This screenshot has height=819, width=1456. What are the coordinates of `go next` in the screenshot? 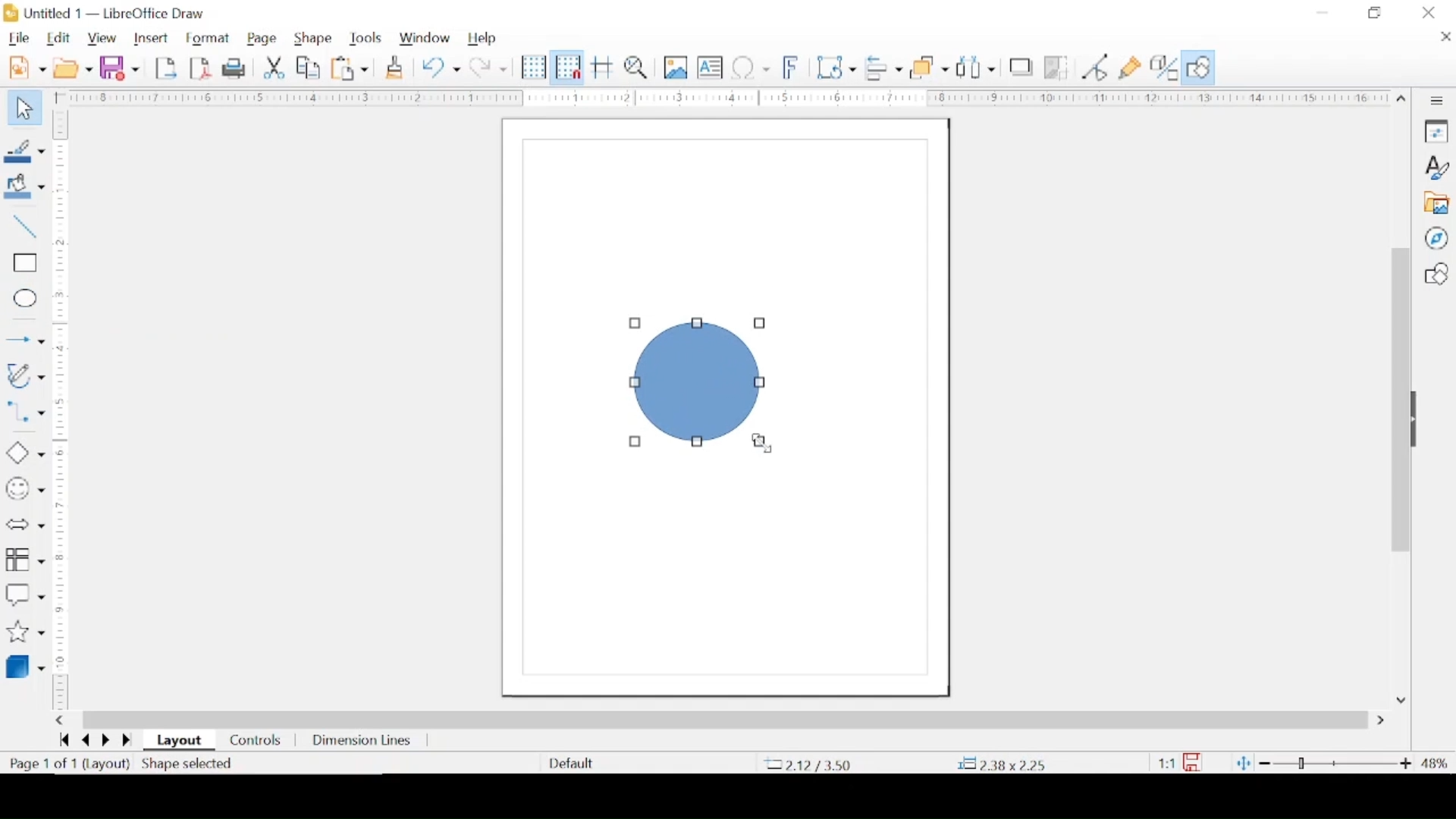 It's located at (102, 740).